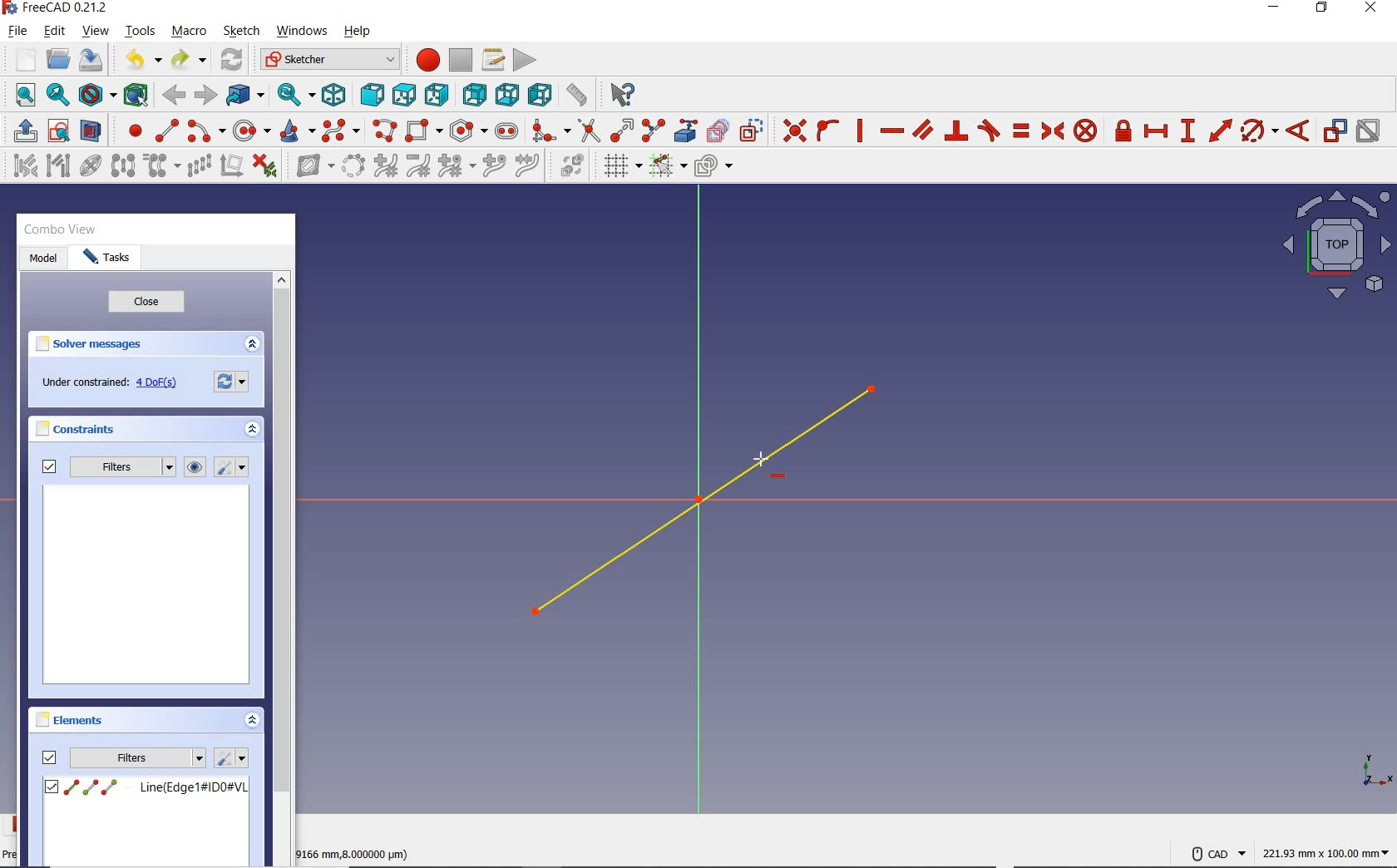  I want to click on CONSTRAIN ANGLE, so click(1301, 129).